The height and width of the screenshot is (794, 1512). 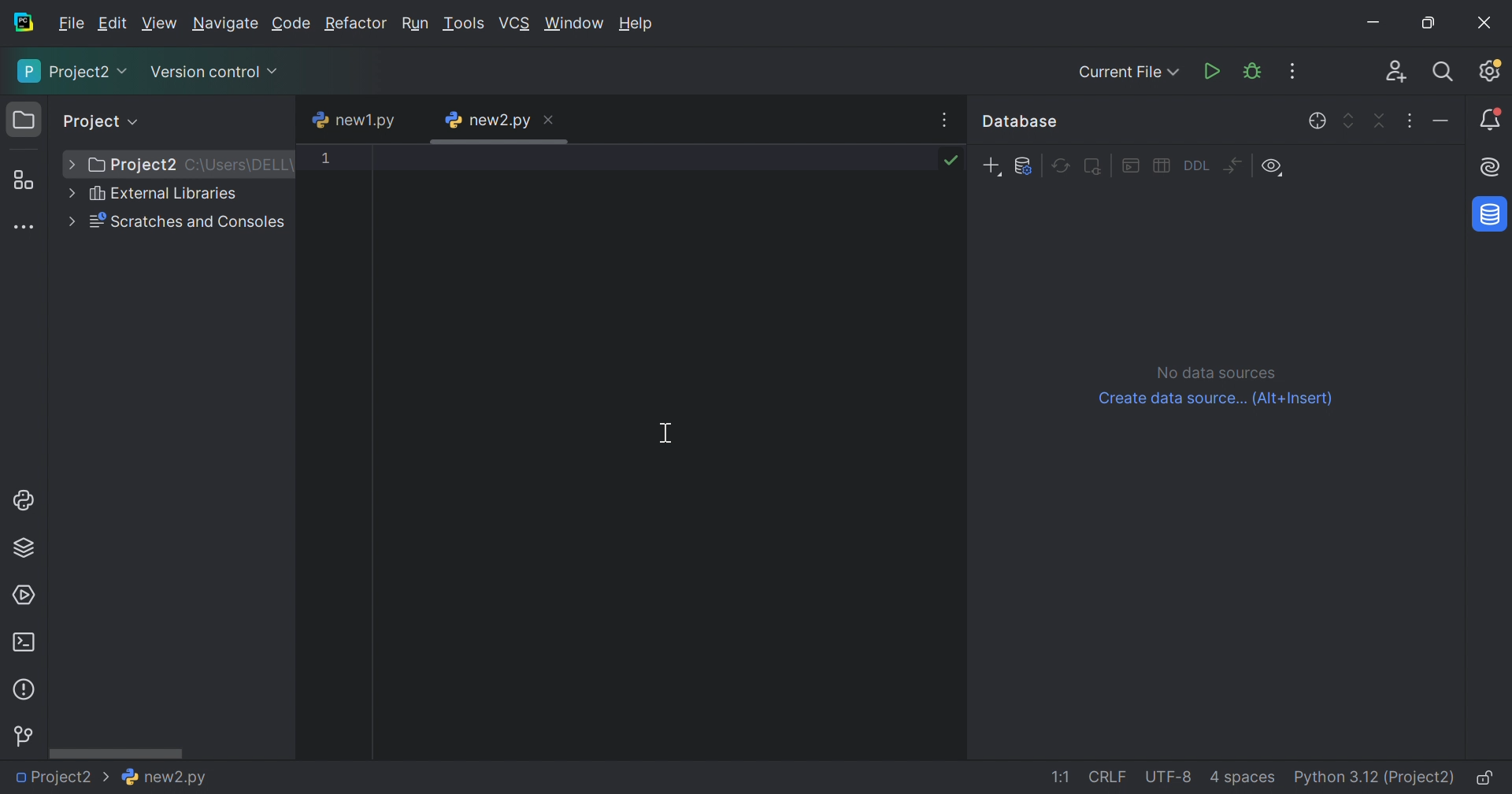 What do you see at coordinates (1444, 71) in the screenshot?
I see `Search Everywhere` at bounding box center [1444, 71].